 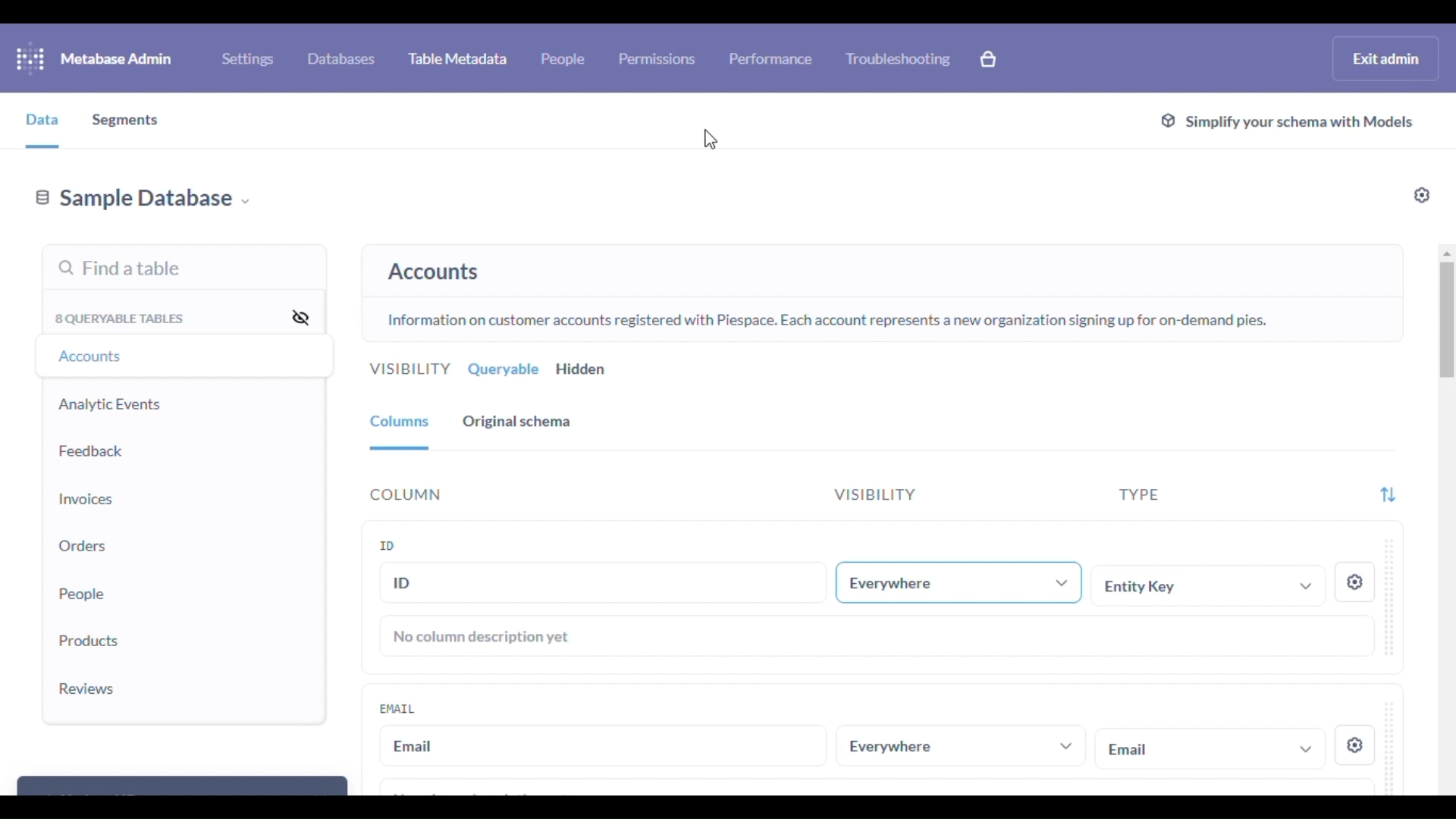 What do you see at coordinates (893, 262) in the screenshot?
I see `select any table to see its schema and add or edit metadata.` at bounding box center [893, 262].